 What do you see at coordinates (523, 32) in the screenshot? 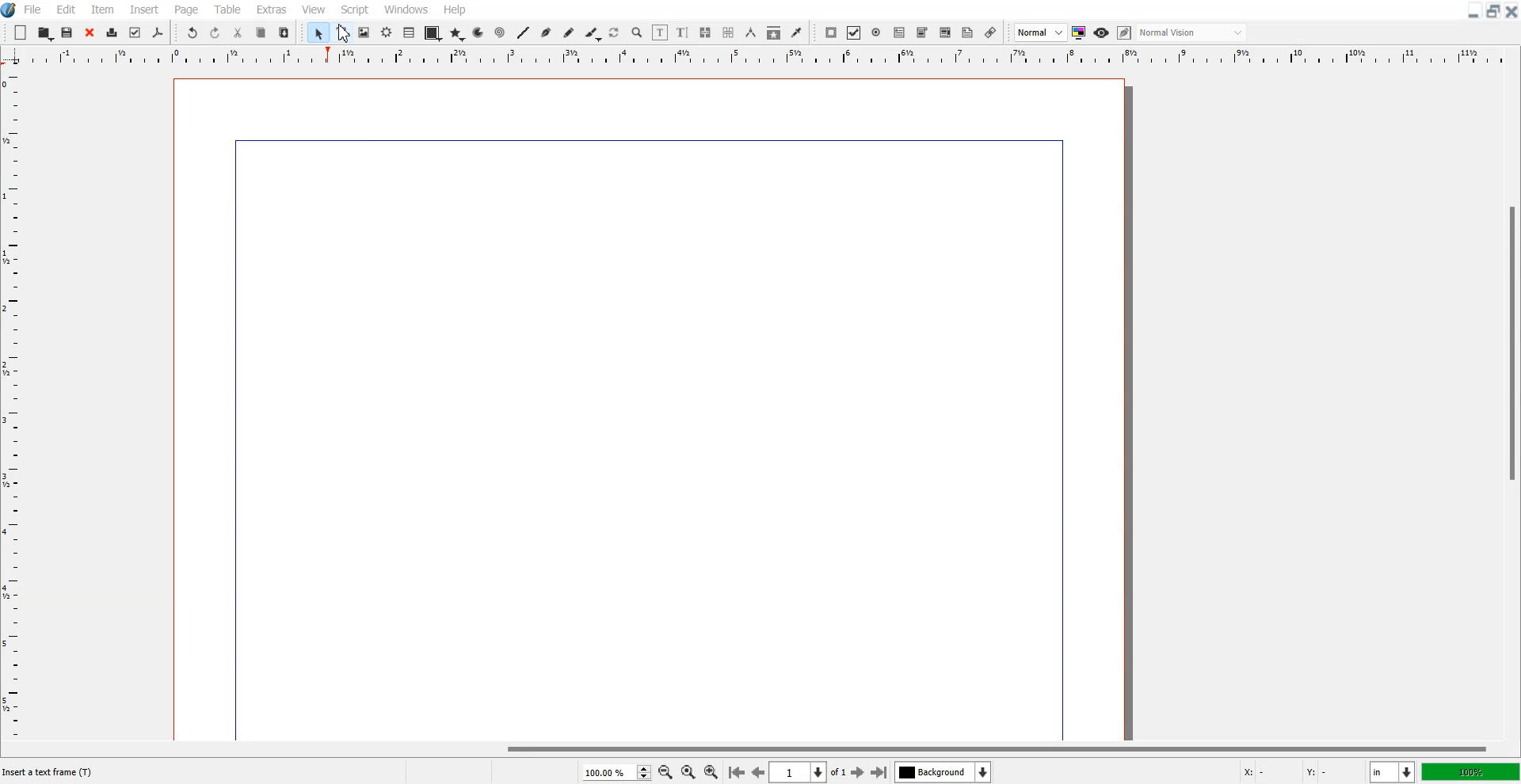
I see `Line` at bounding box center [523, 32].